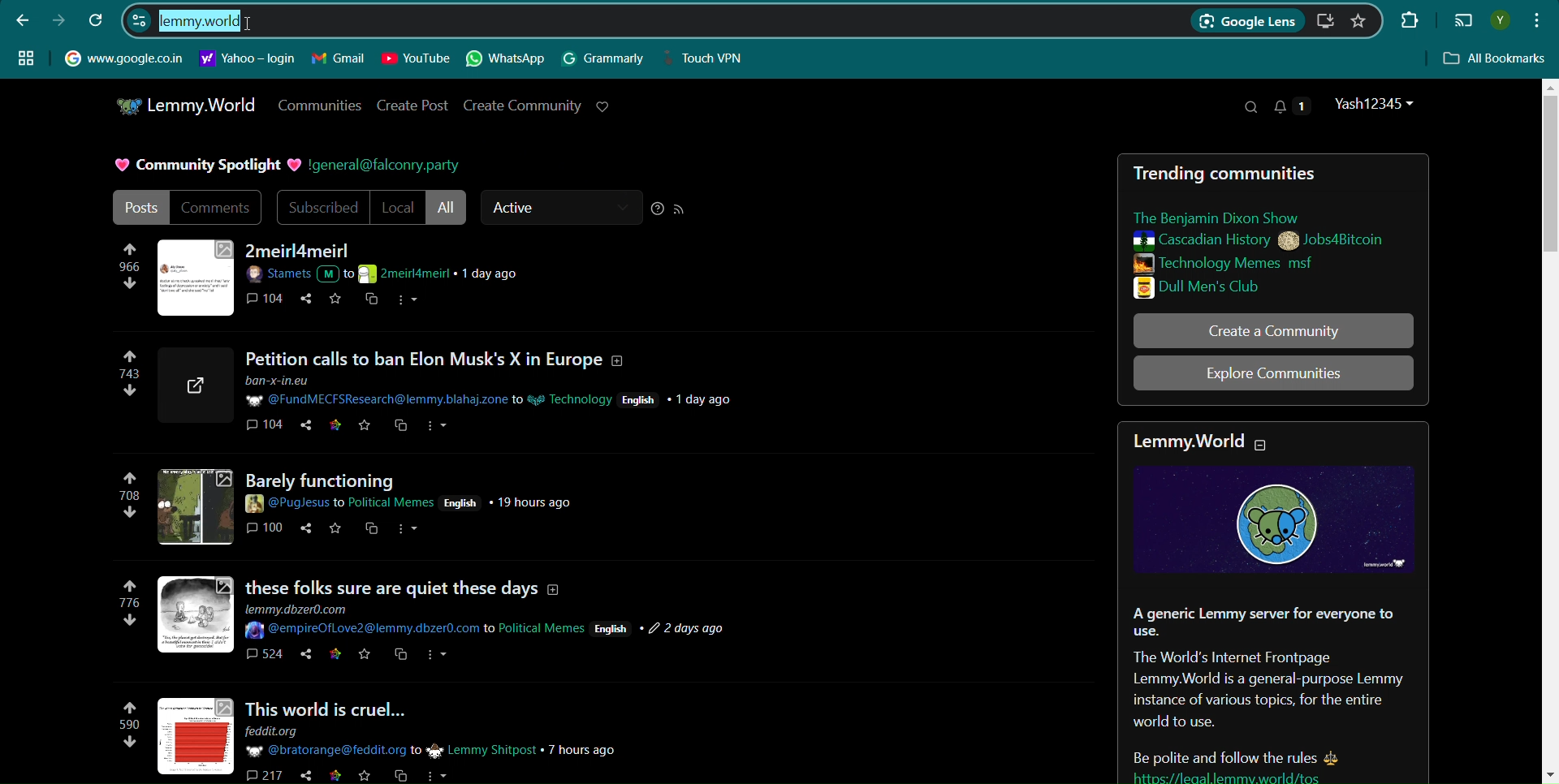 The width and height of the screenshot is (1559, 784). Describe the element at coordinates (263, 658) in the screenshot. I see `524` at that location.